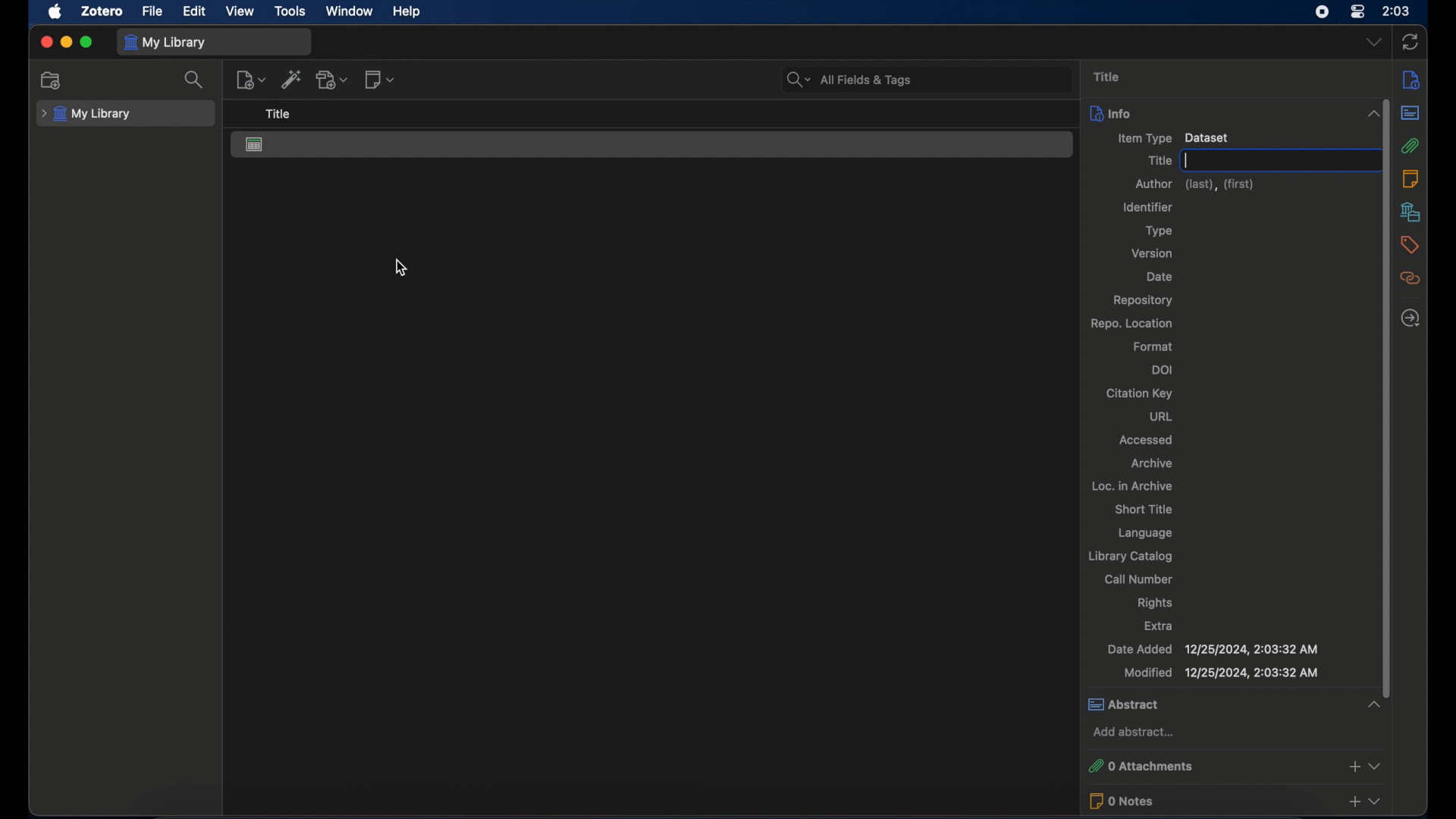 This screenshot has width=1456, height=819. What do you see at coordinates (1145, 509) in the screenshot?
I see `short title` at bounding box center [1145, 509].